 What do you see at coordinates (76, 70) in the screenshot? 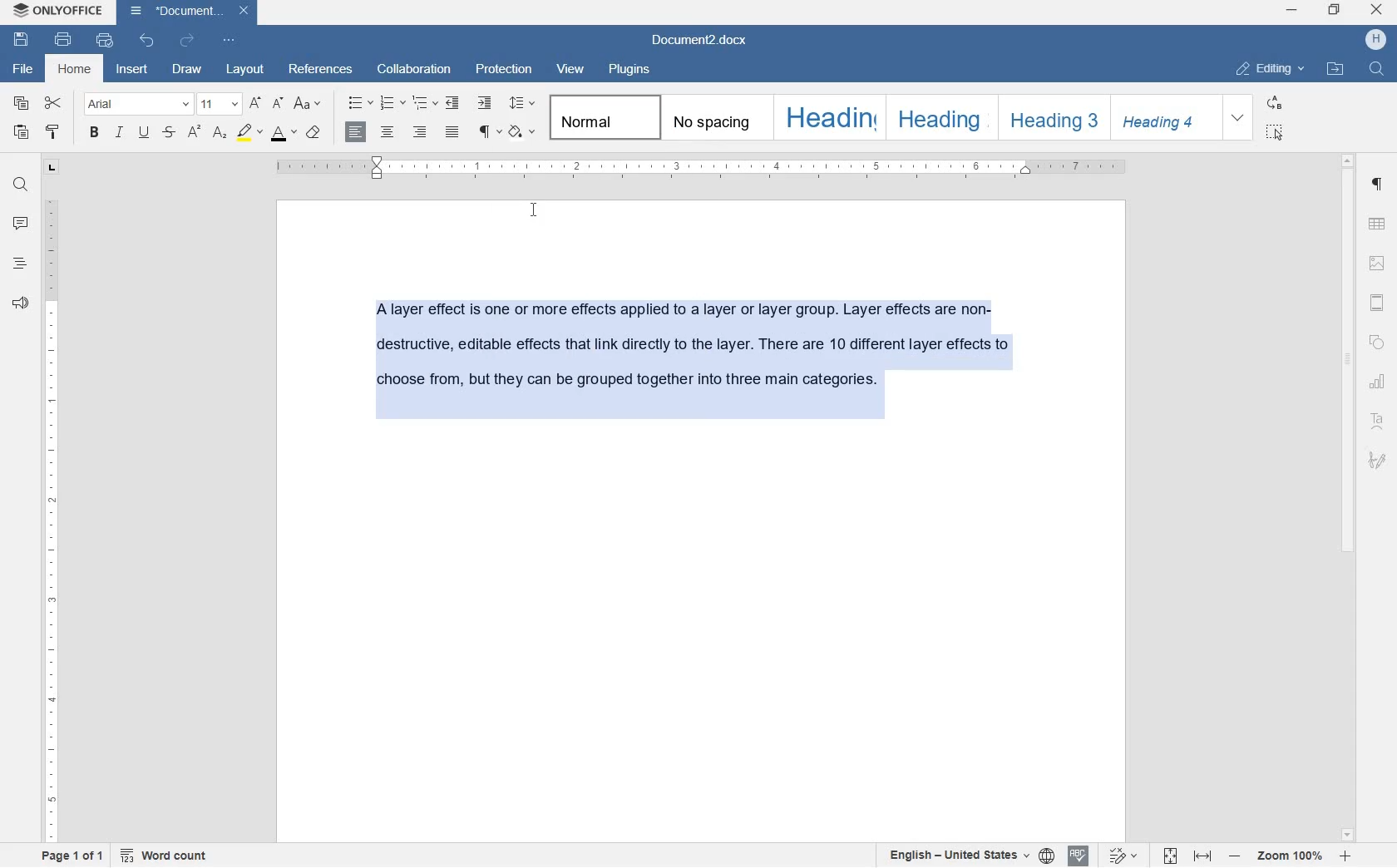
I see `home` at bounding box center [76, 70].